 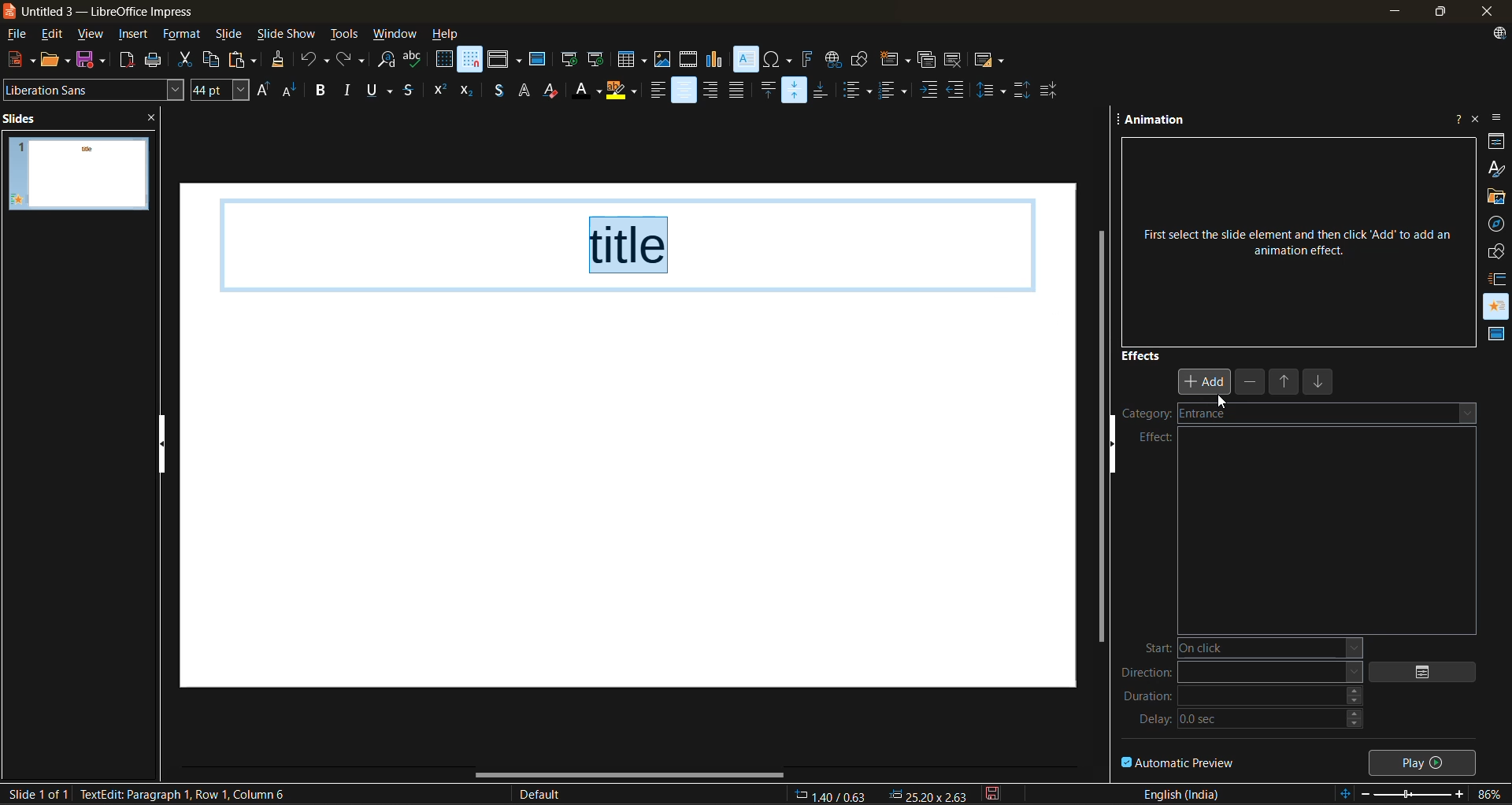 I want to click on align right, so click(x=711, y=91).